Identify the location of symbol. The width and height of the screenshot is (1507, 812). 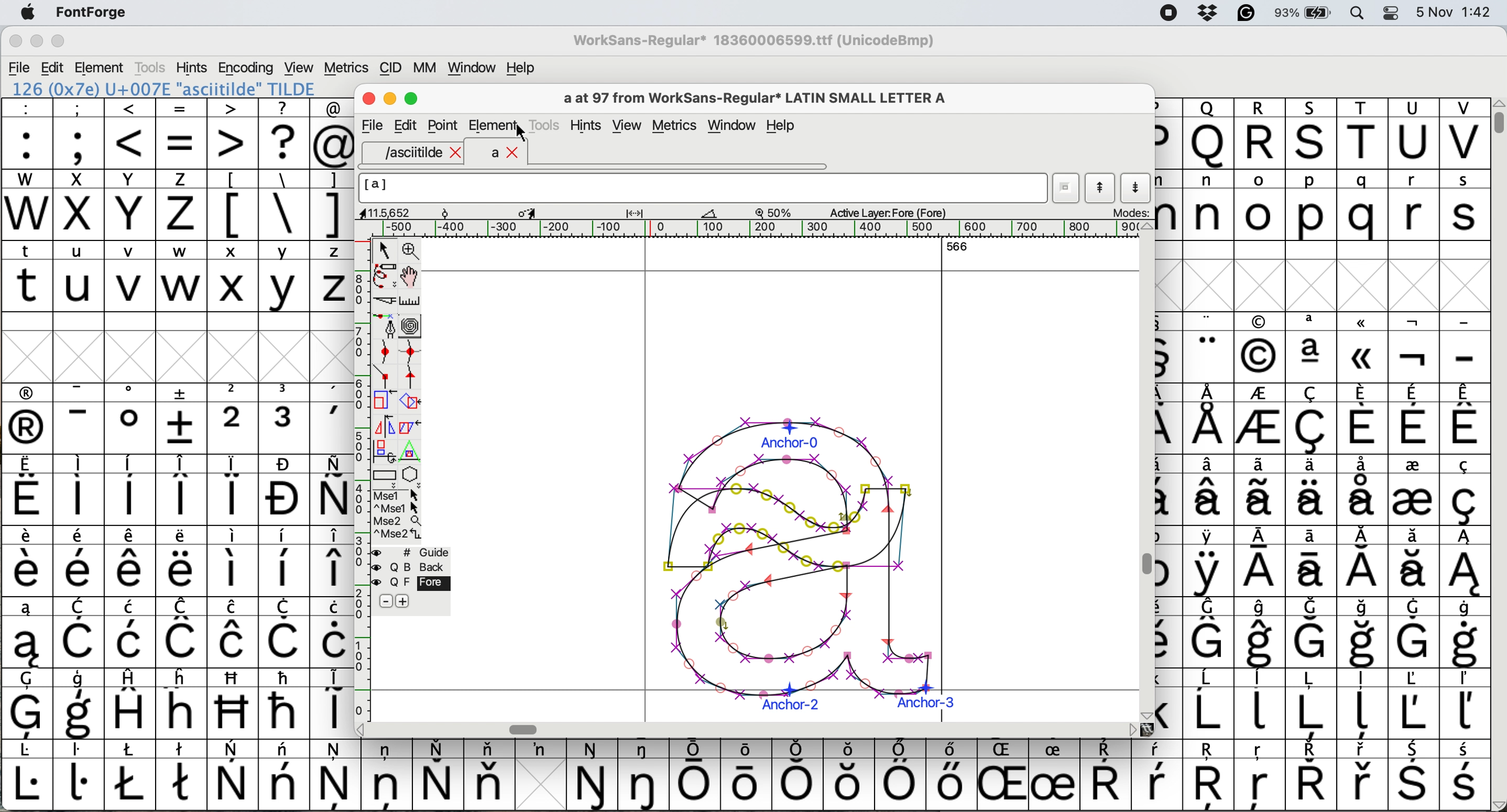
(1208, 562).